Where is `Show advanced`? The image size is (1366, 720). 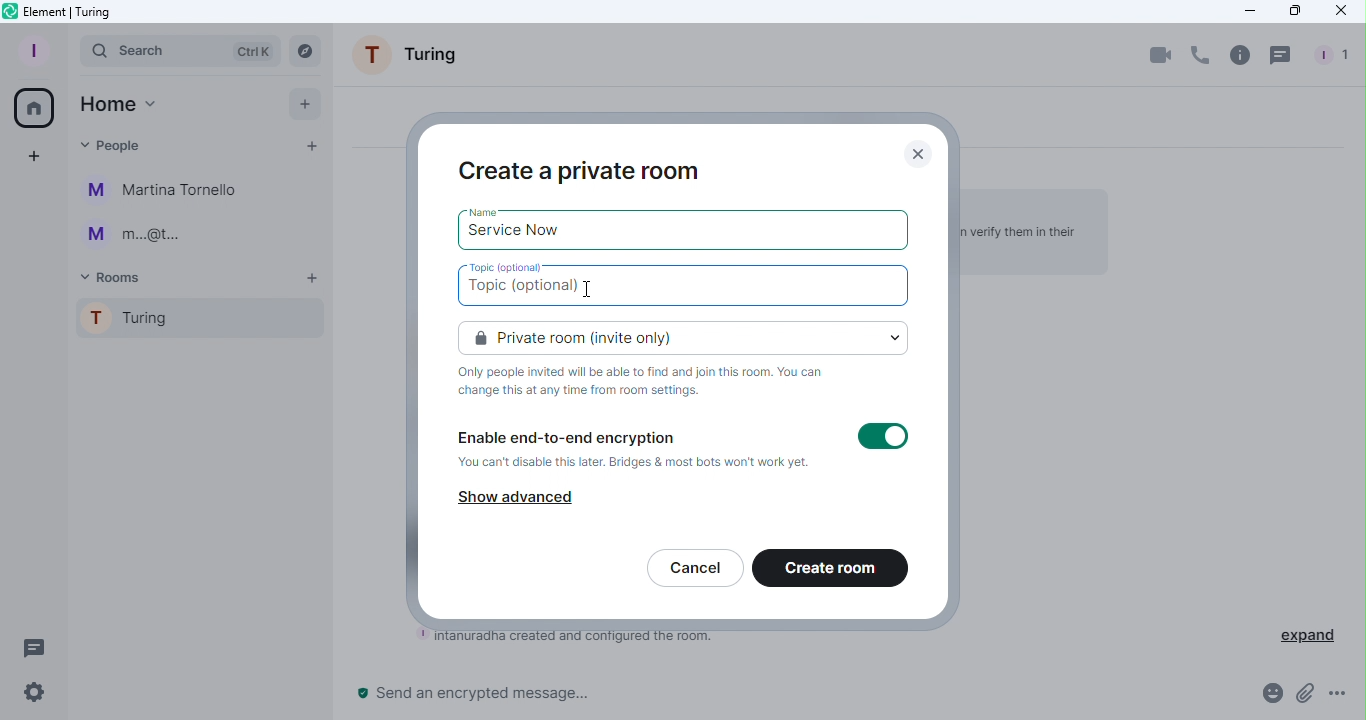
Show advanced is located at coordinates (518, 496).